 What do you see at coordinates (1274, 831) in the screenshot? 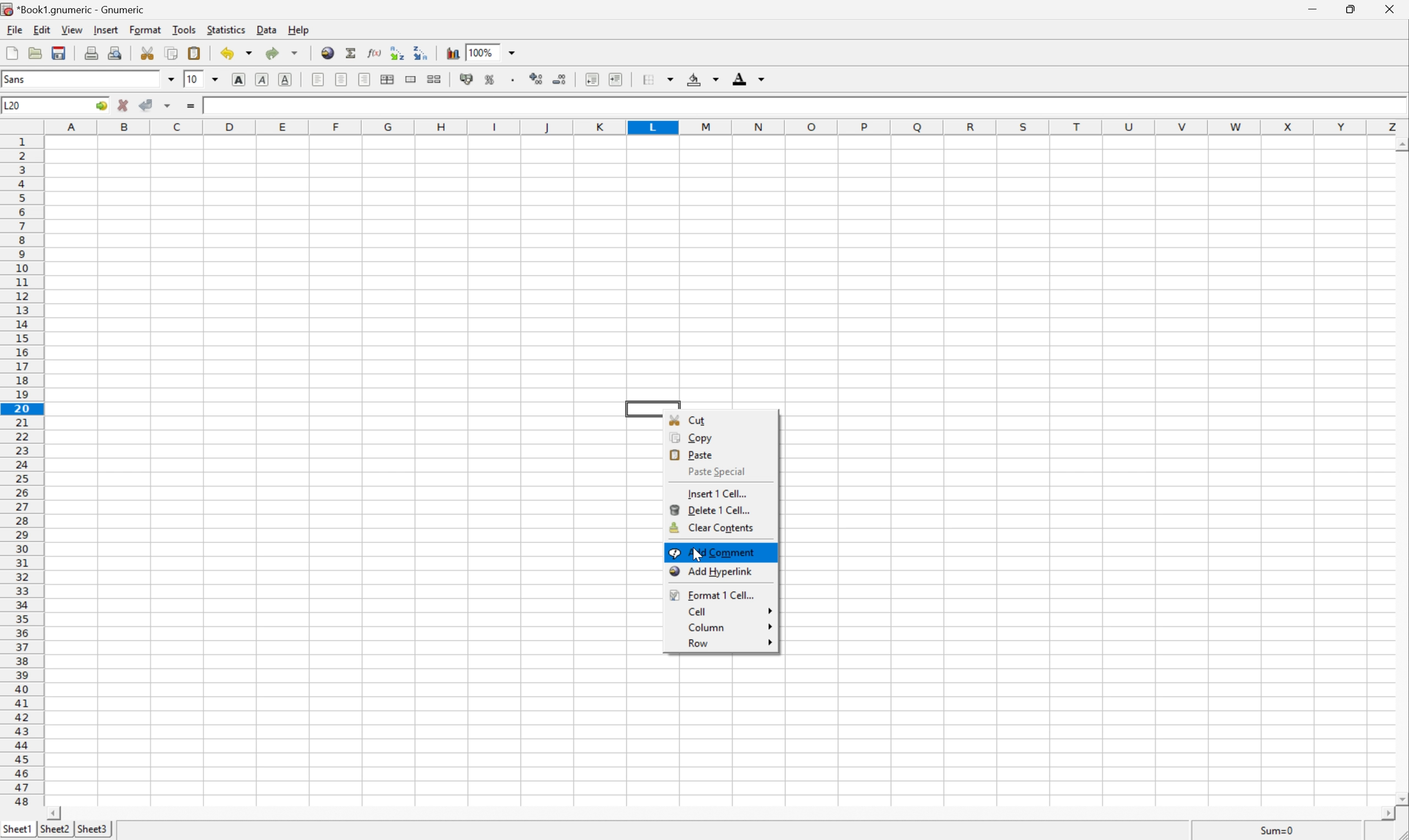
I see `Sum=0` at bounding box center [1274, 831].